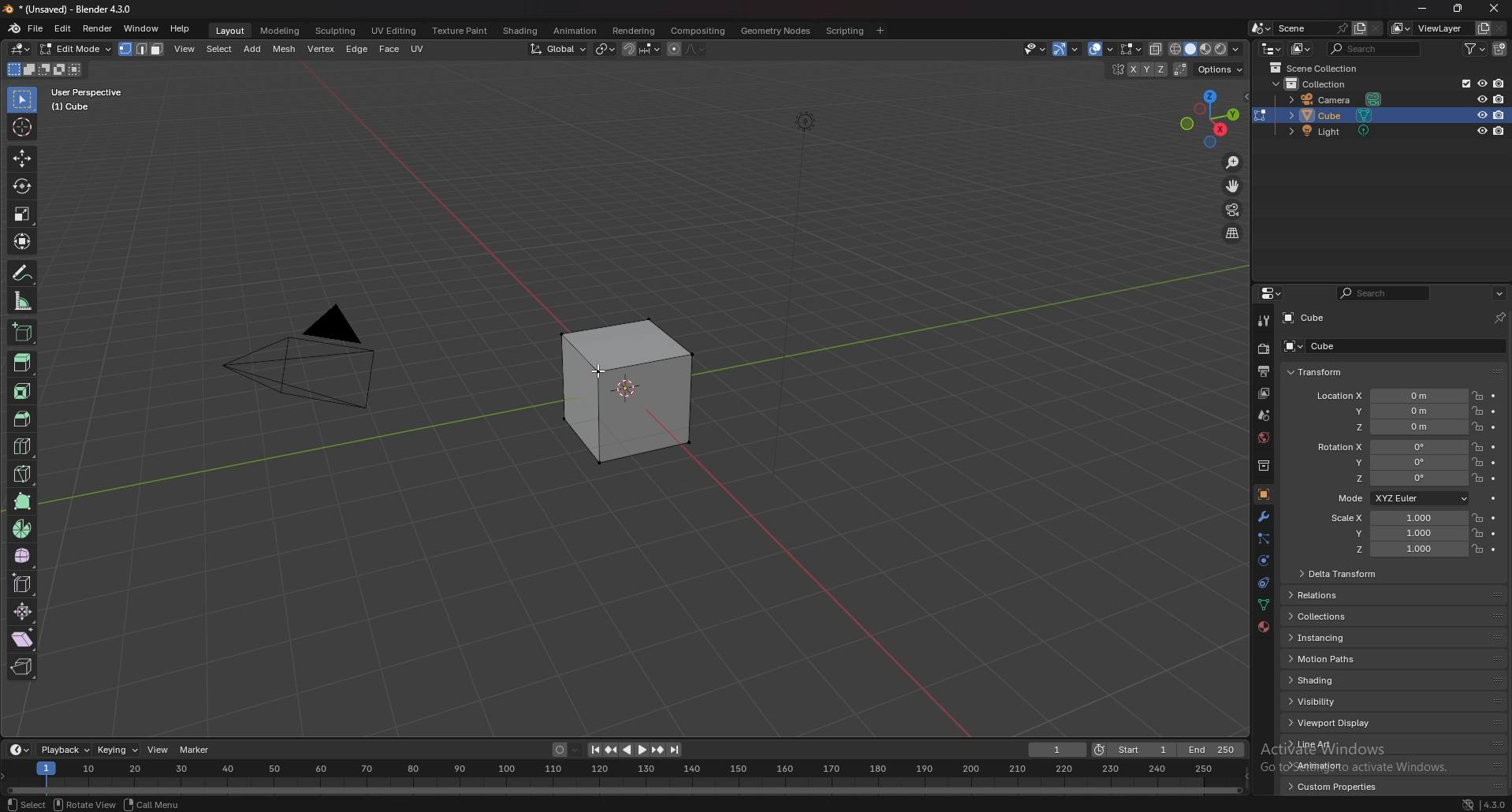  Describe the element at coordinates (23, 127) in the screenshot. I see `cursor` at that location.